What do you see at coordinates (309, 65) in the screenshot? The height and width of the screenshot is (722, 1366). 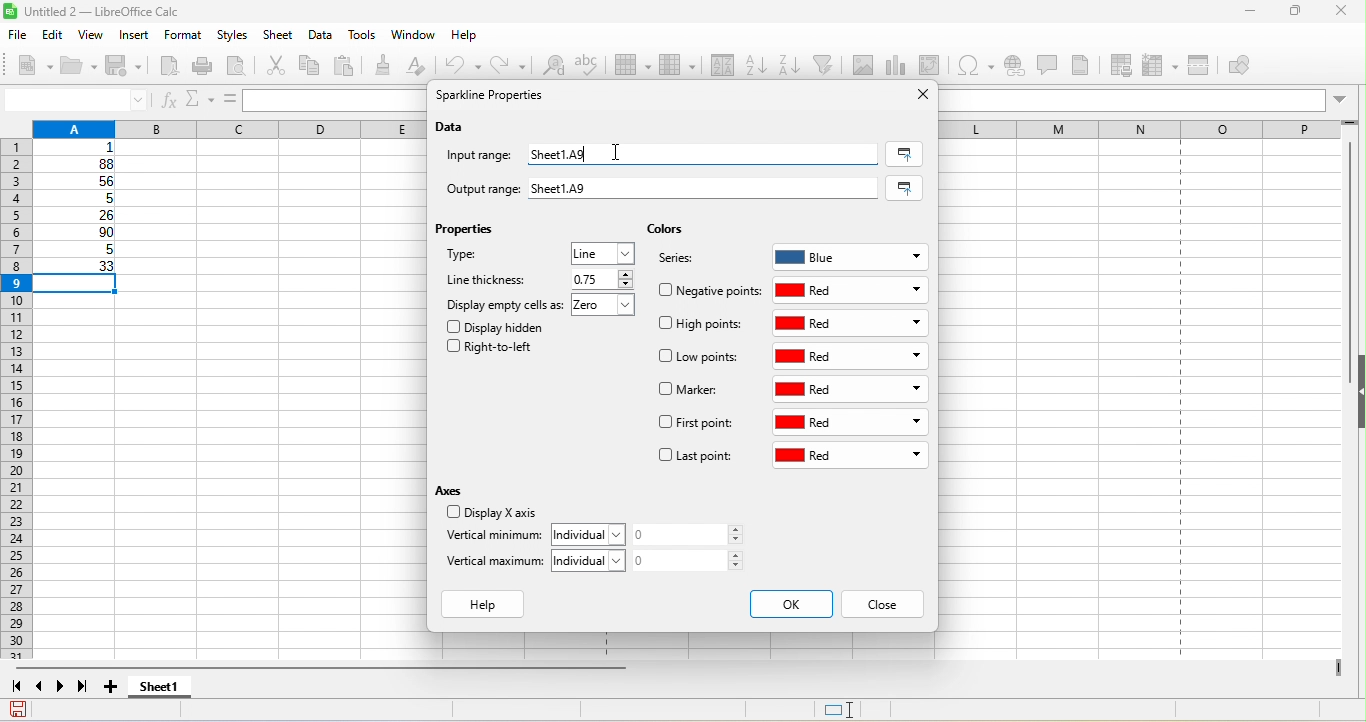 I see `copy` at bounding box center [309, 65].